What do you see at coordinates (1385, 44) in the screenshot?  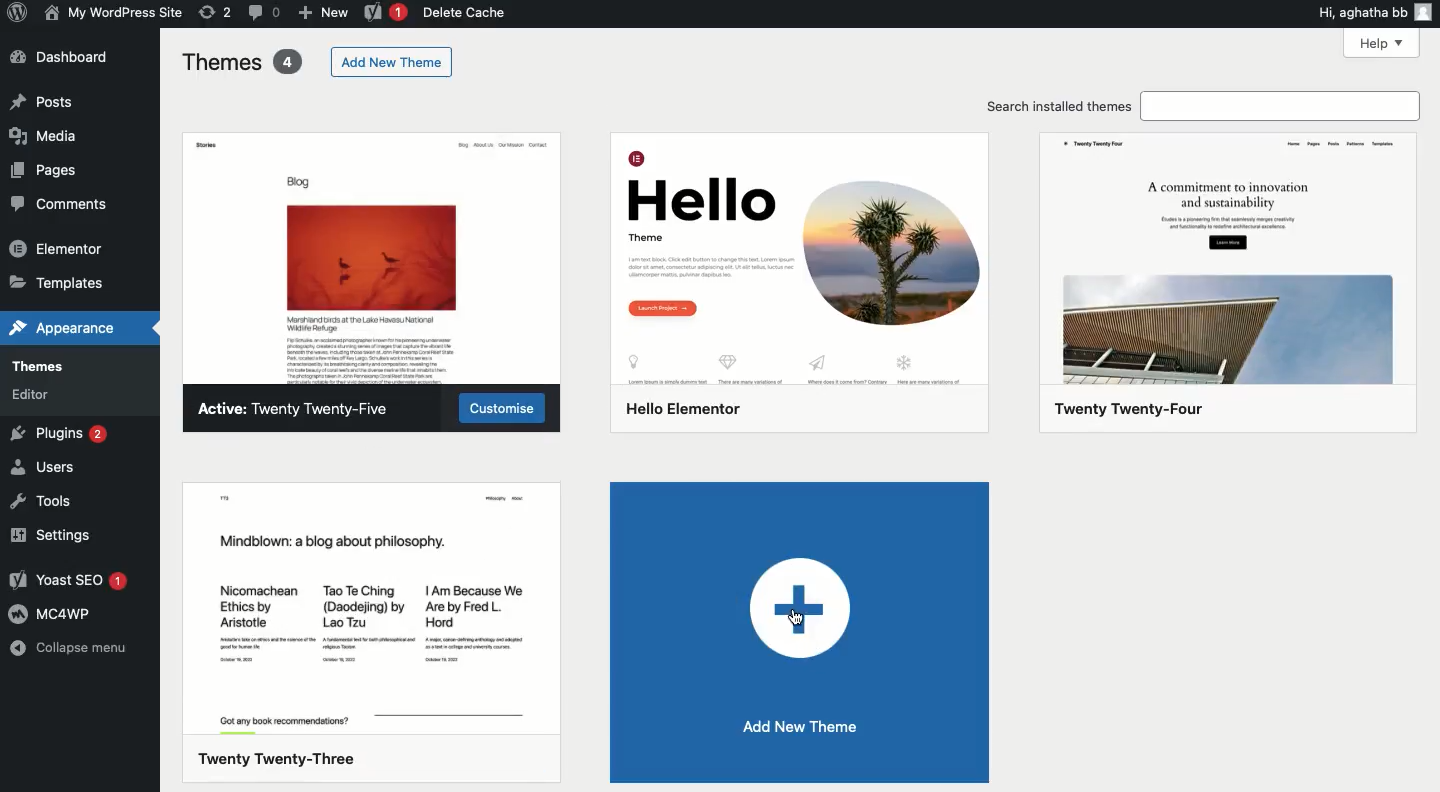 I see `Help` at bounding box center [1385, 44].